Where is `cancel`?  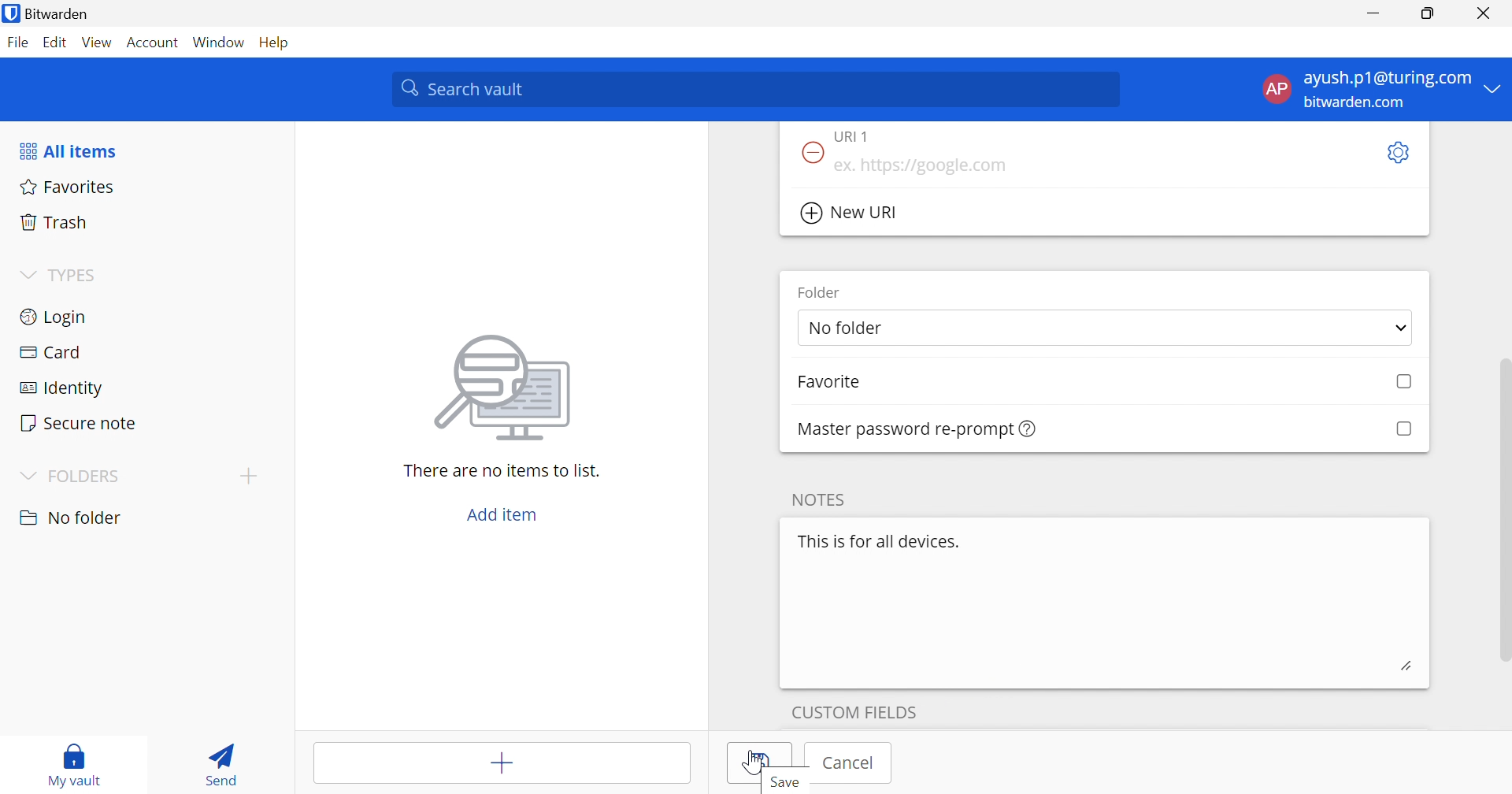 cancel is located at coordinates (854, 761).